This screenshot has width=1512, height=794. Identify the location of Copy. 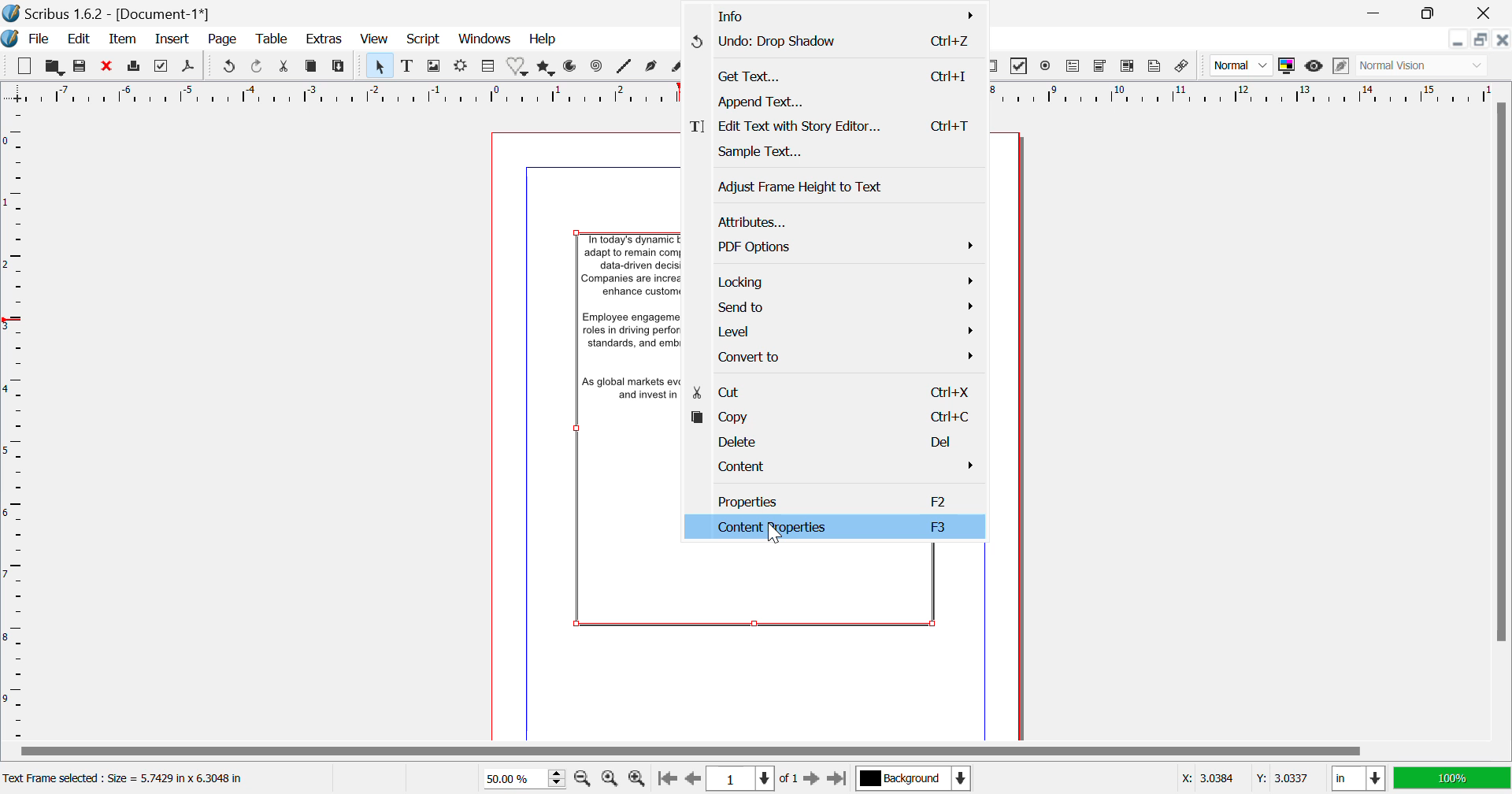
(313, 66).